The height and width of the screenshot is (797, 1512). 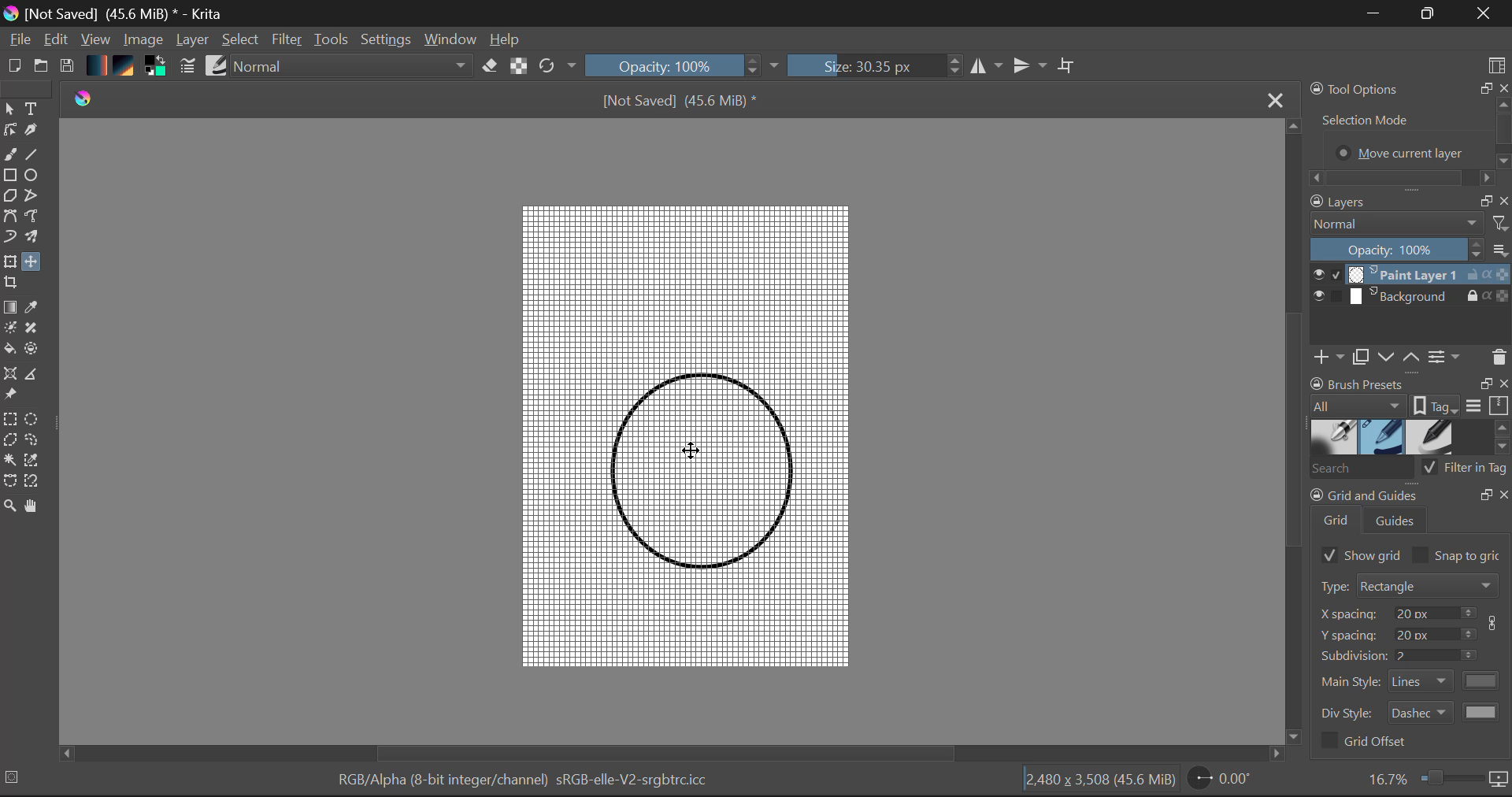 I want to click on Pan, so click(x=35, y=506).